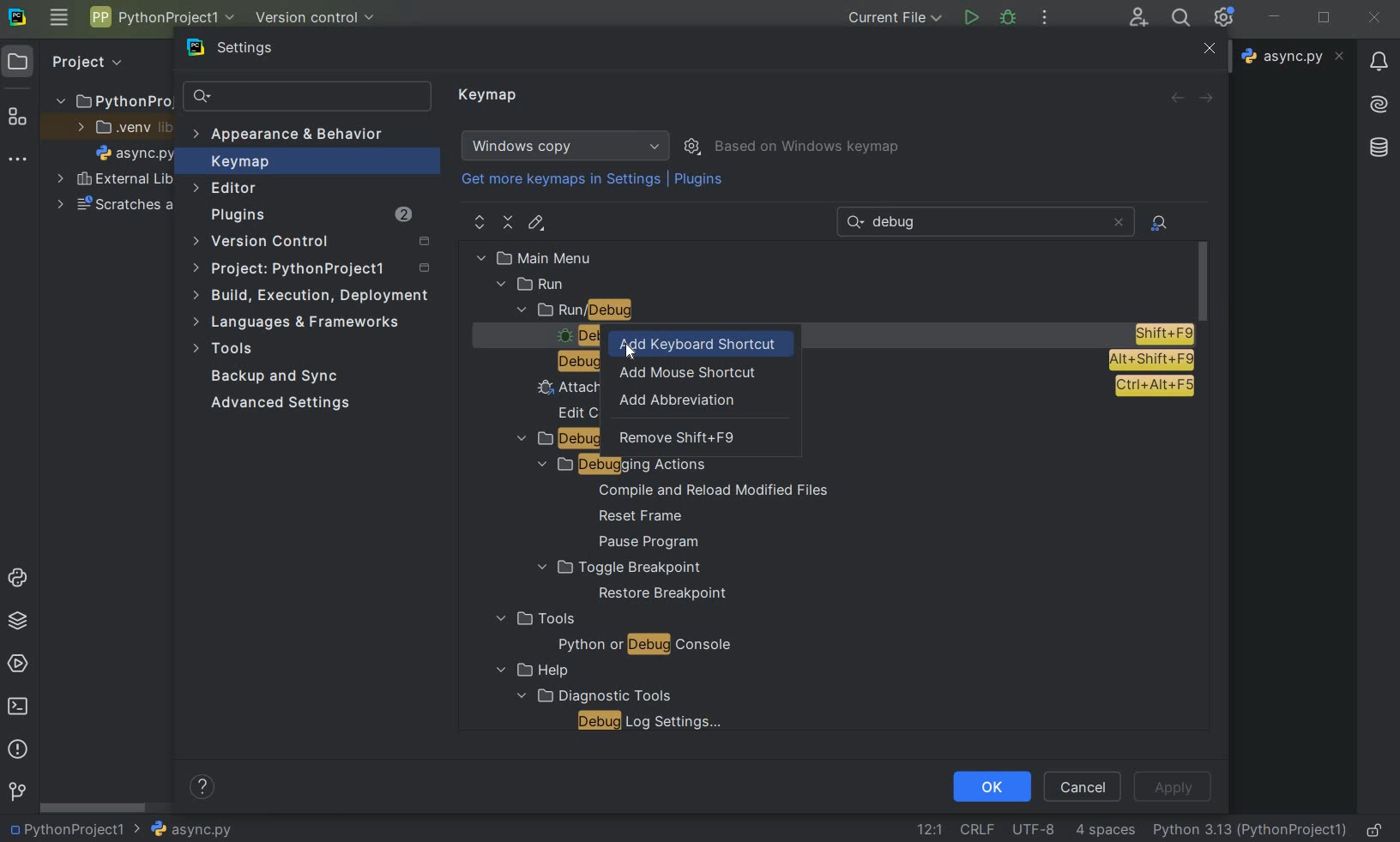 This screenshot has height=842, width=1400. Describe the element at coordinates (643, 543) in the screenshot. I see `pause program` at that location.